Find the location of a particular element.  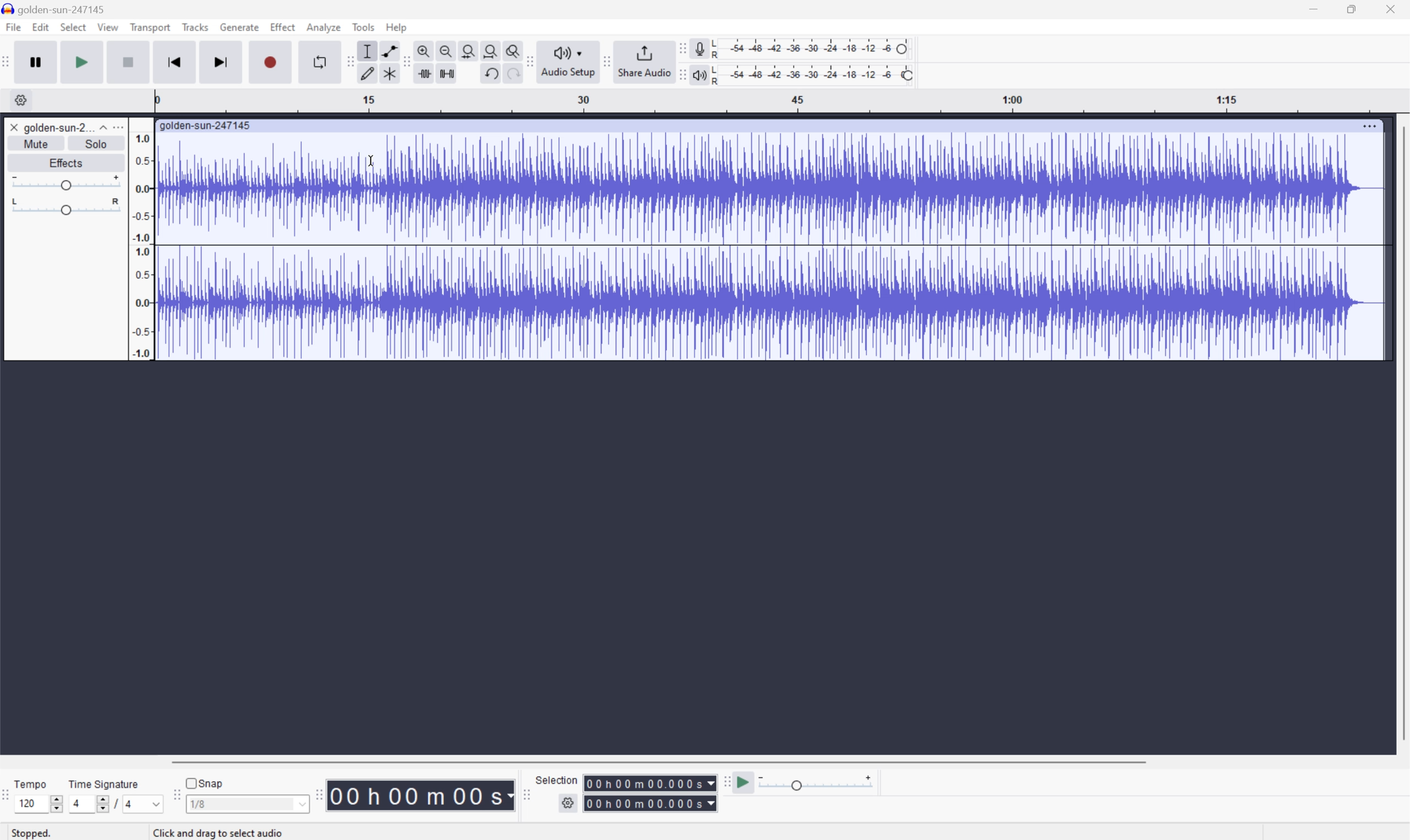

Play st speed is located at coordinates (745, 783).